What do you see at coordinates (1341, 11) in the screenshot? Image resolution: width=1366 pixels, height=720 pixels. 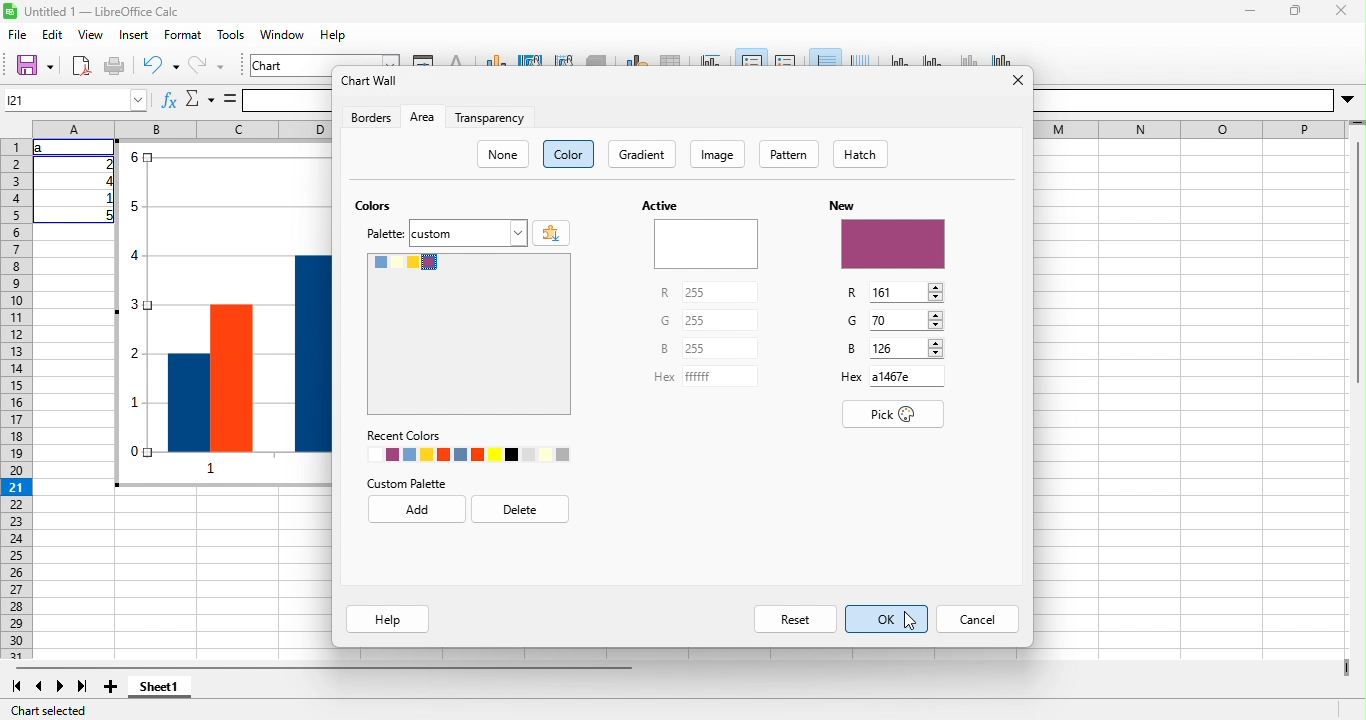 I see `close` at bounding box center [1341, 11].